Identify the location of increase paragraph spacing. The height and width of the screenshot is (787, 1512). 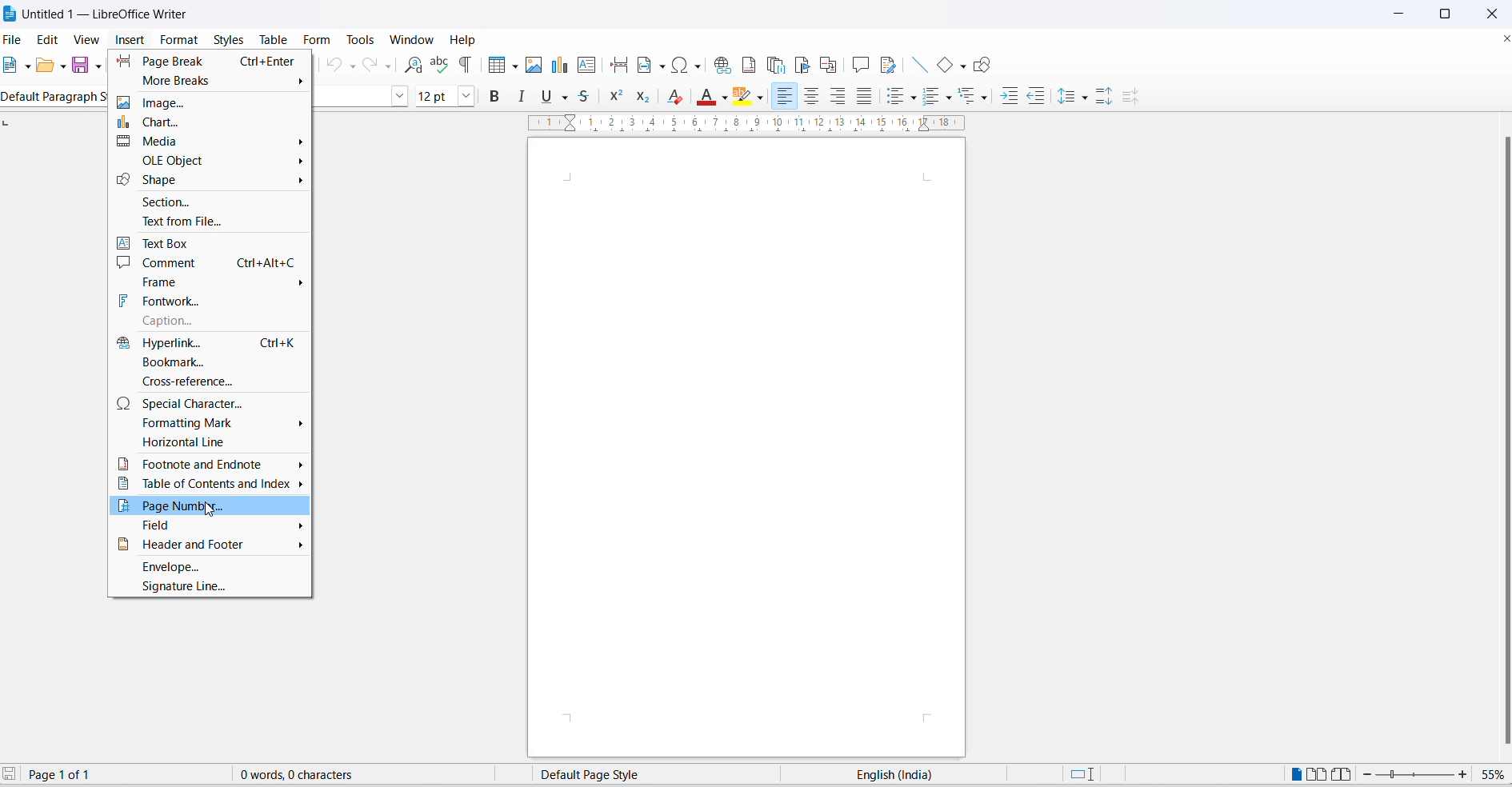
(1106, 98).